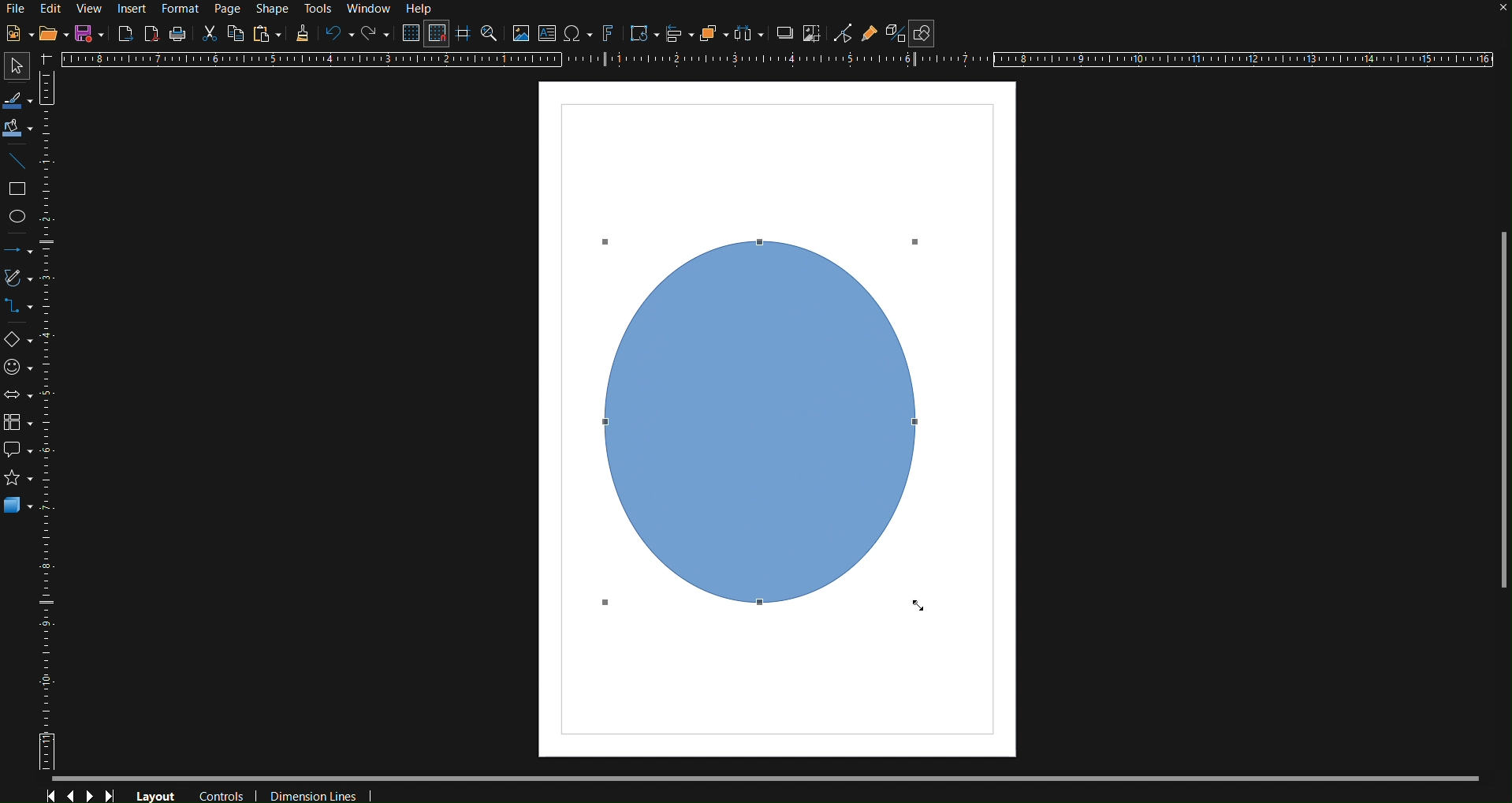  What do you see at coordinates (1503, 409) in the screenshot?
I see `Scrollbar` at bounding box center [1503, 409].